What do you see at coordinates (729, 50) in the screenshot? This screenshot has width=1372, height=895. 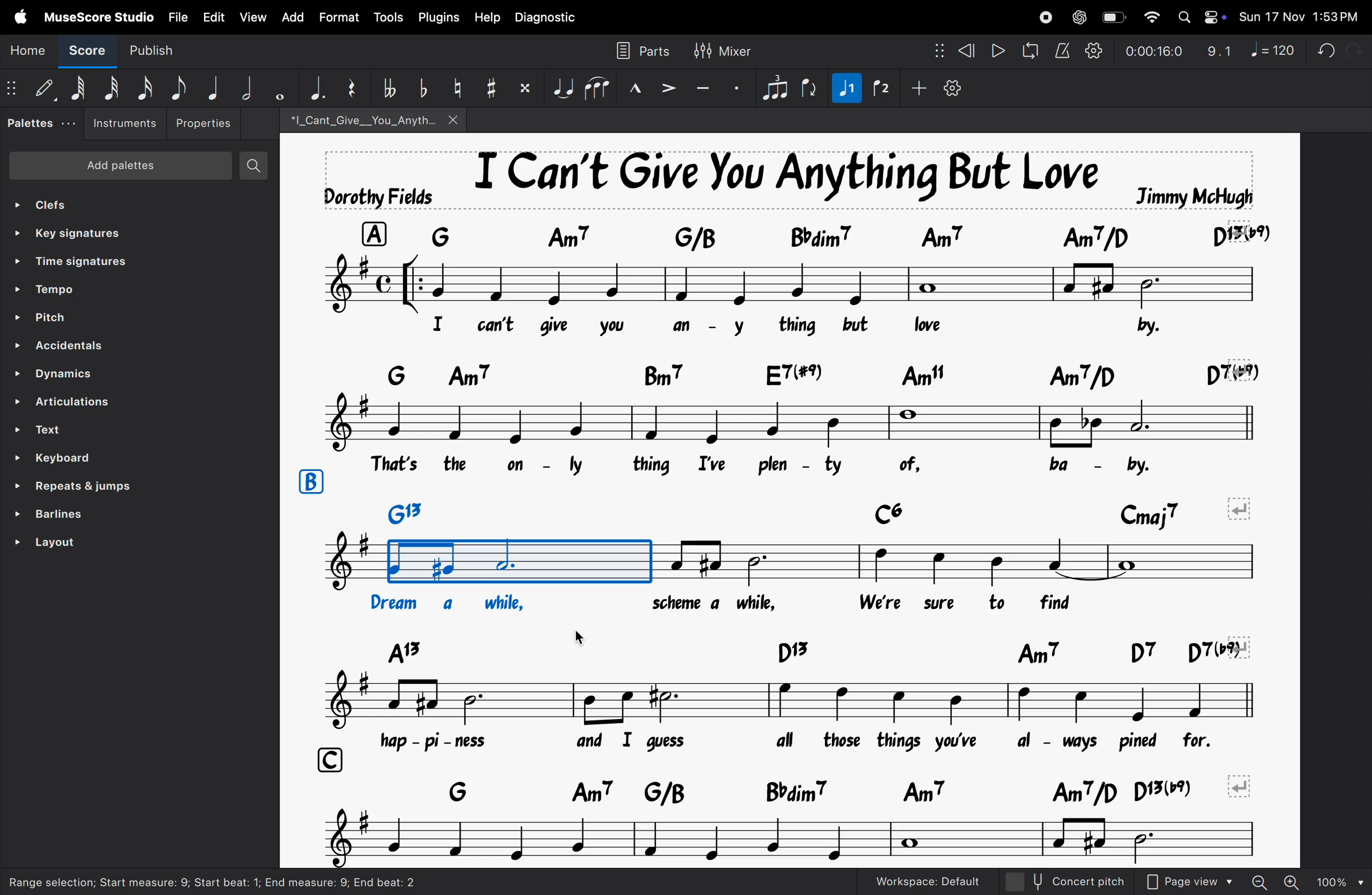 I see `mixer` at bounding box center [729, 50].